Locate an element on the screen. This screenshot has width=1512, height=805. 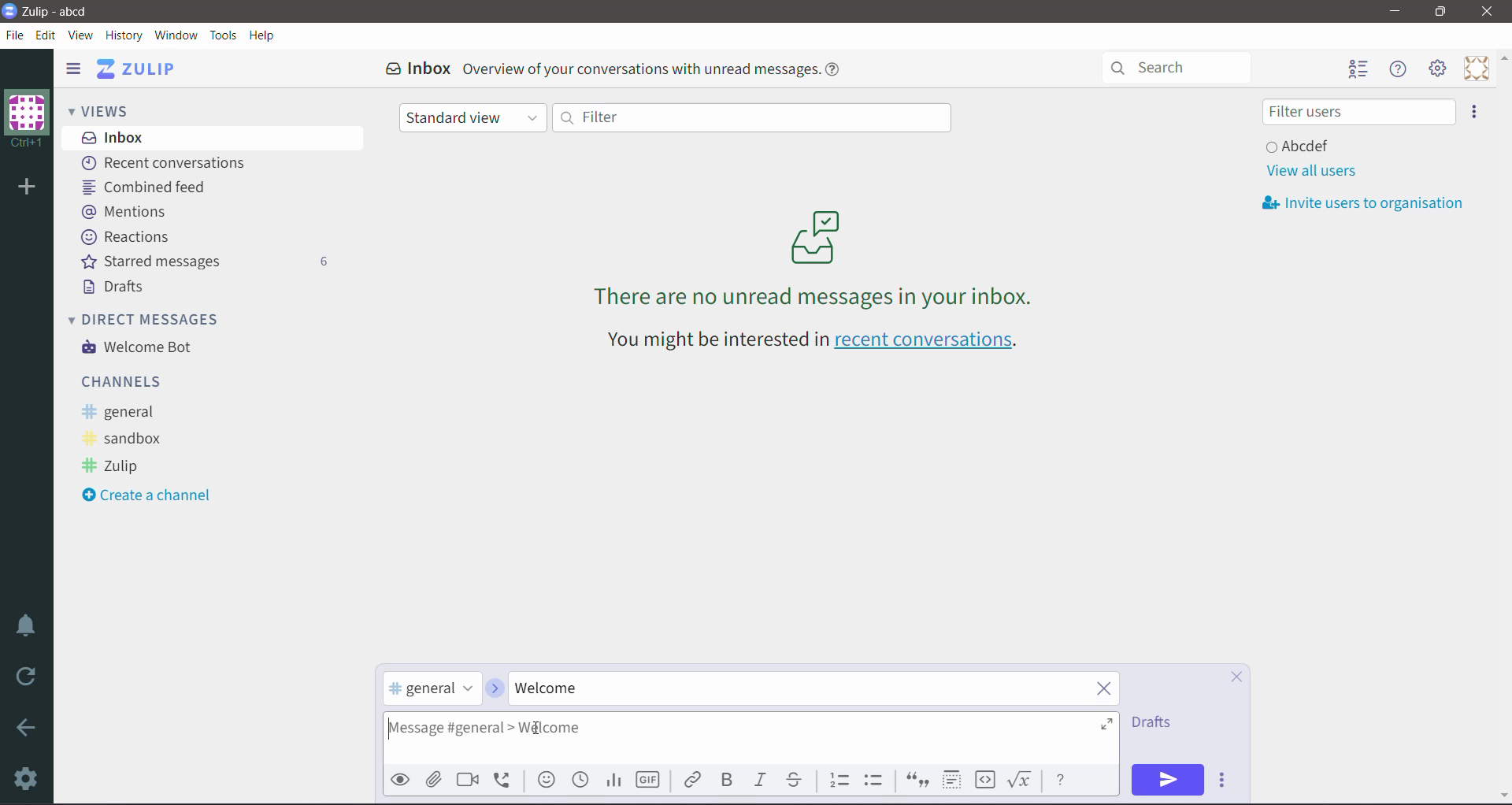
Clear Topic is located at coordinates (1099, 689).